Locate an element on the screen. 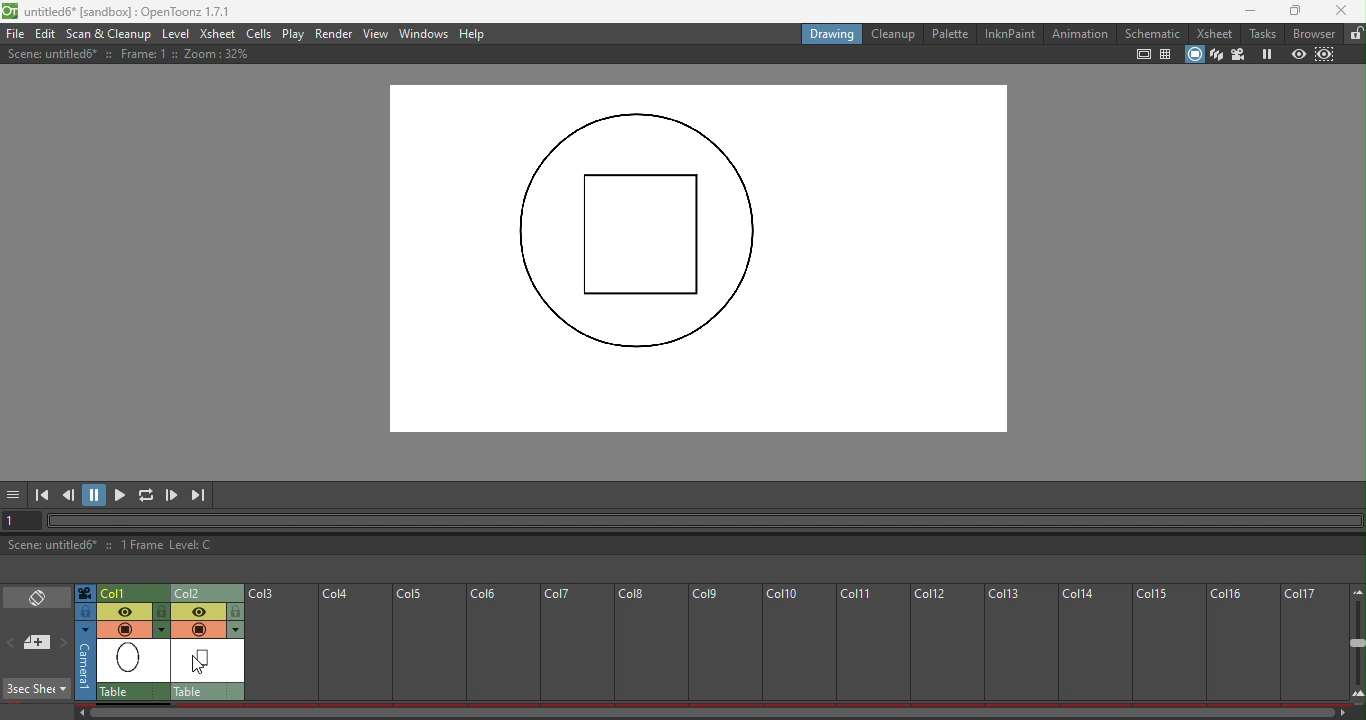  Task is located at coordinates (1262, 33).